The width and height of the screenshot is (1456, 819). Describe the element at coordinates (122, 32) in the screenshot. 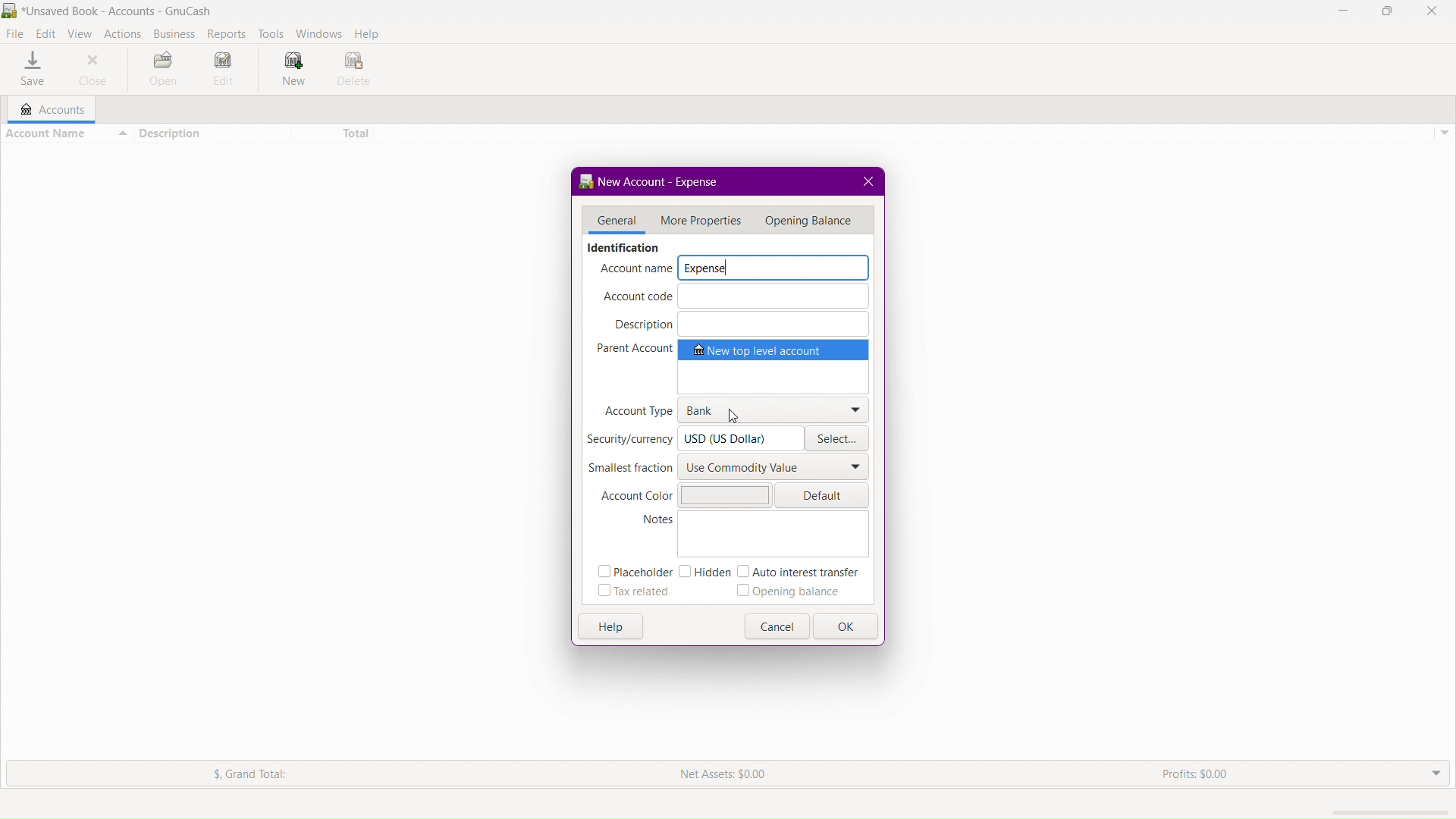

I see `Actions` at that location.